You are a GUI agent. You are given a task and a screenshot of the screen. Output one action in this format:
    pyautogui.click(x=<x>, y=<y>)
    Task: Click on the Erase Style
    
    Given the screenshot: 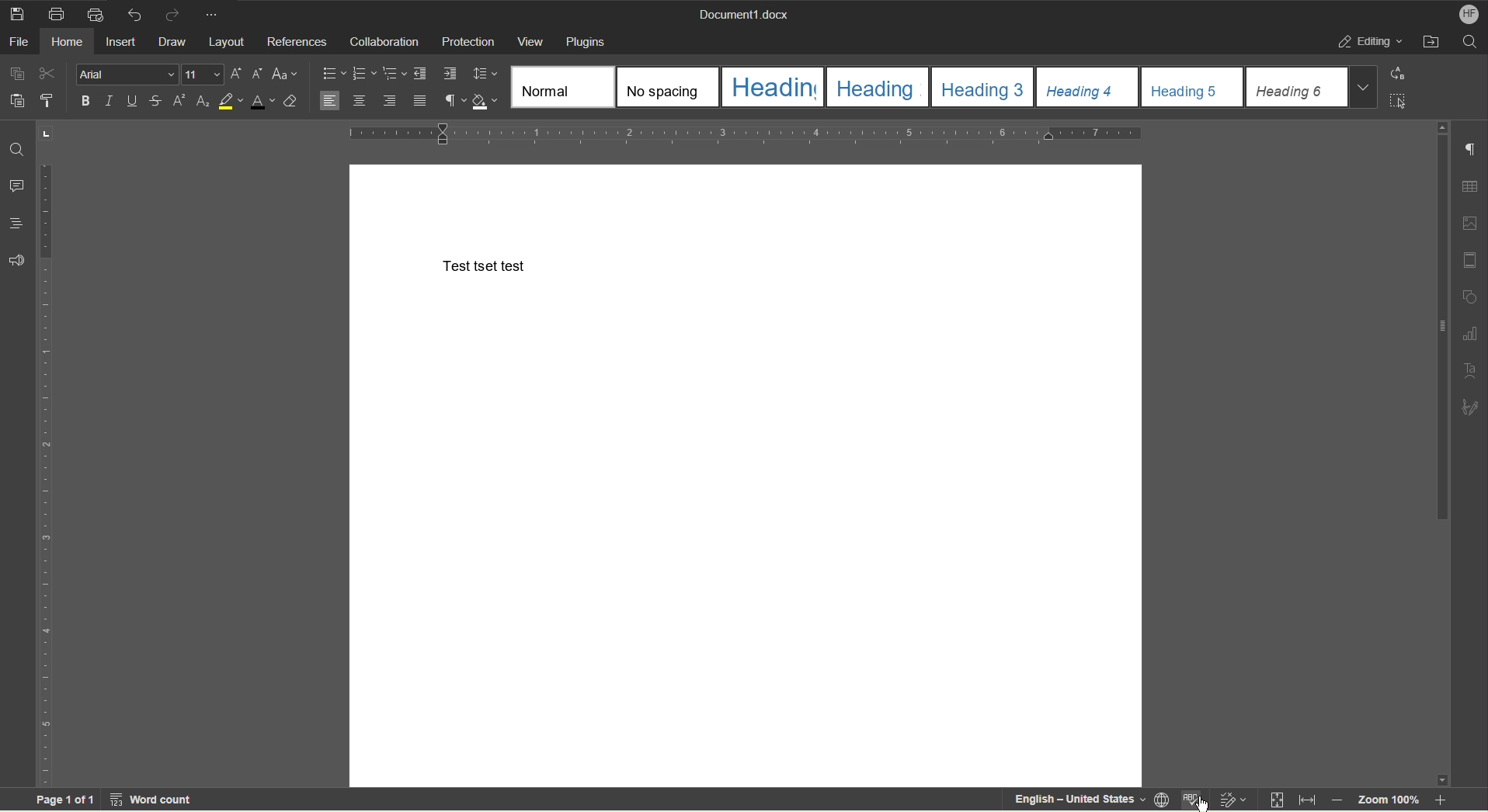 What is the action you would take?
    pyautogui.click(x=291, y=103)
    